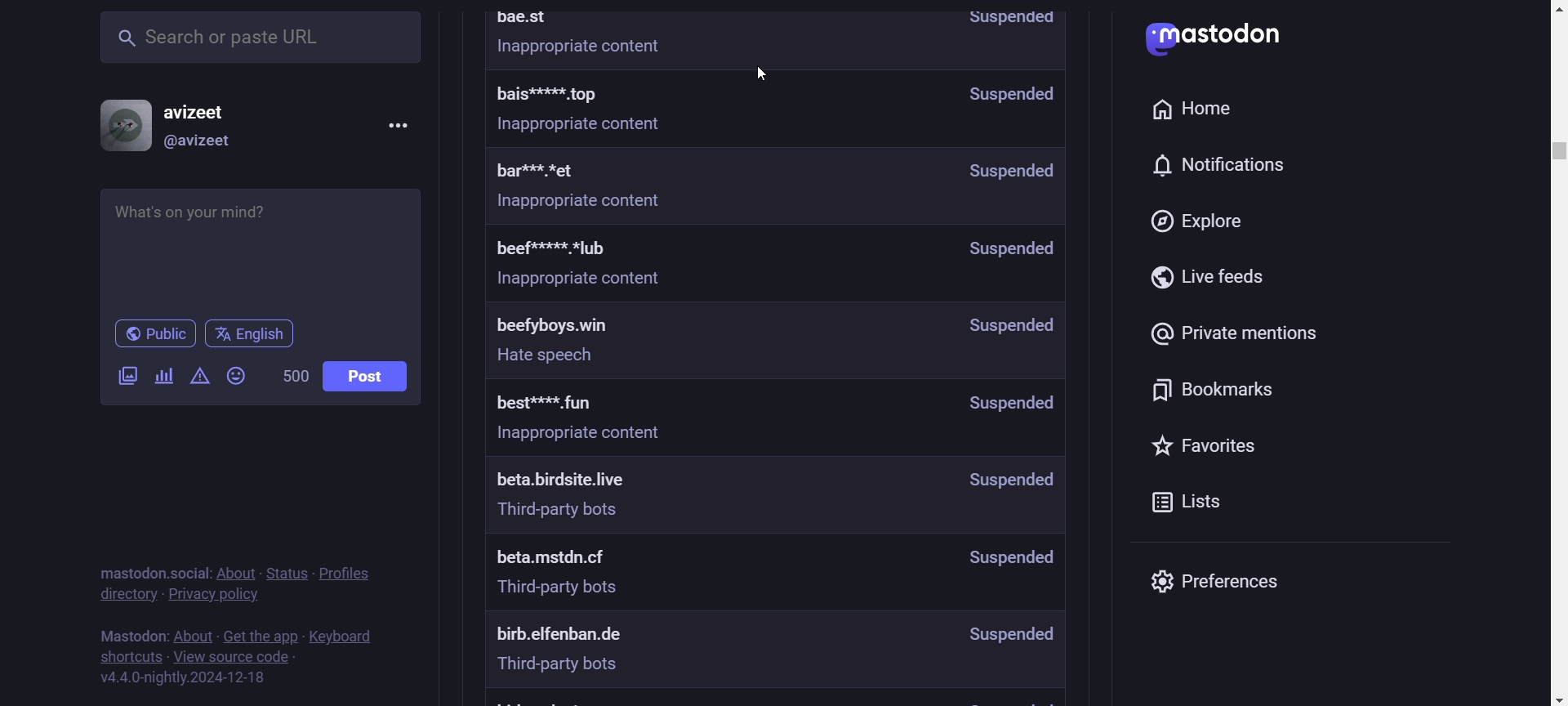 Image resolution: width=1568 pixels, height=706 pixels. I want to click on moderated server's information, so click(777, 648).